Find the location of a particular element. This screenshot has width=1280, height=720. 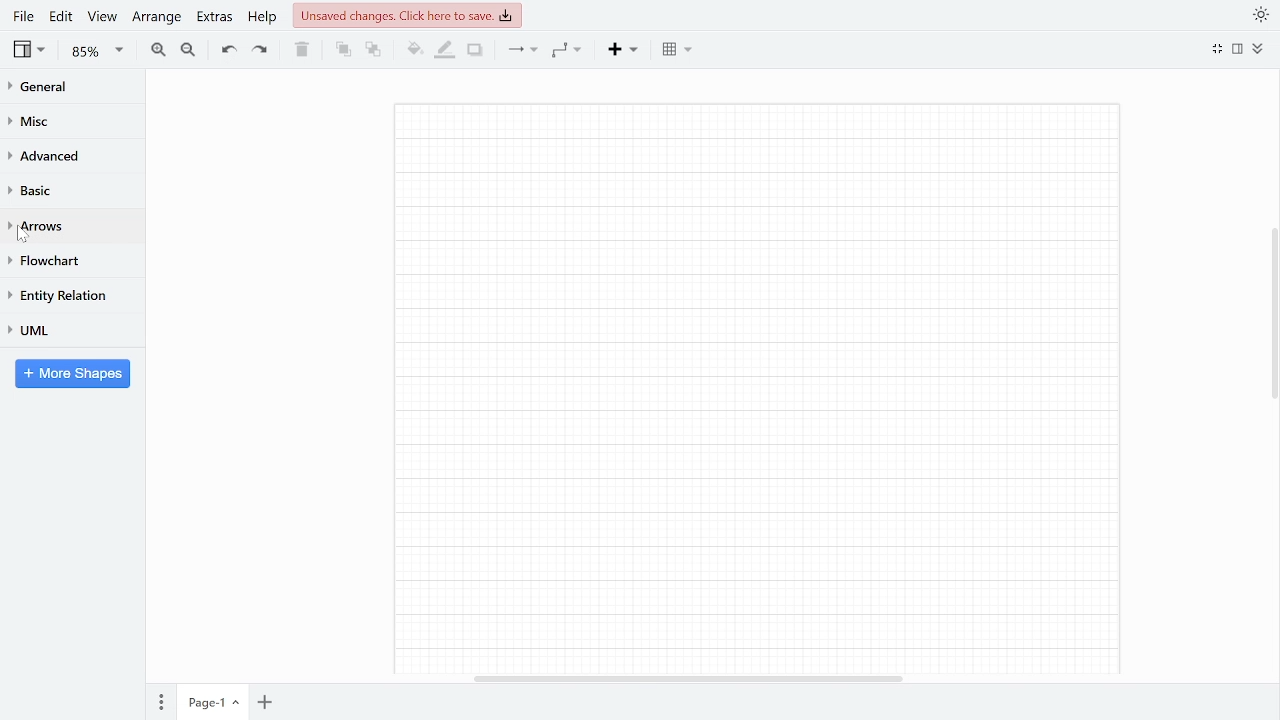

Format is located at coordinates (1238, 50).